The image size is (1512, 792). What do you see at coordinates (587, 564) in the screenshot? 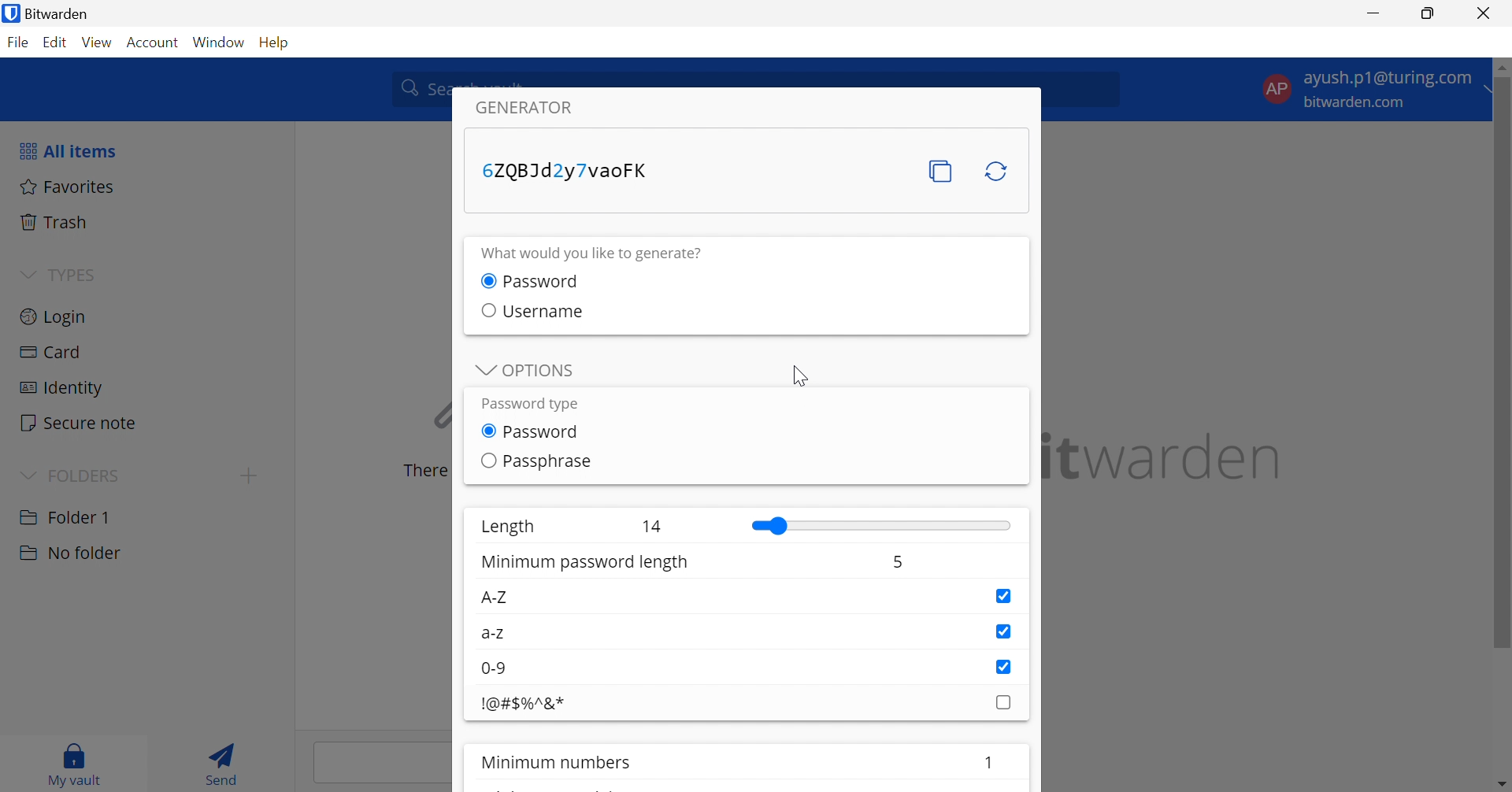
I see `Minimum password length` at bounding box center [587, 564].